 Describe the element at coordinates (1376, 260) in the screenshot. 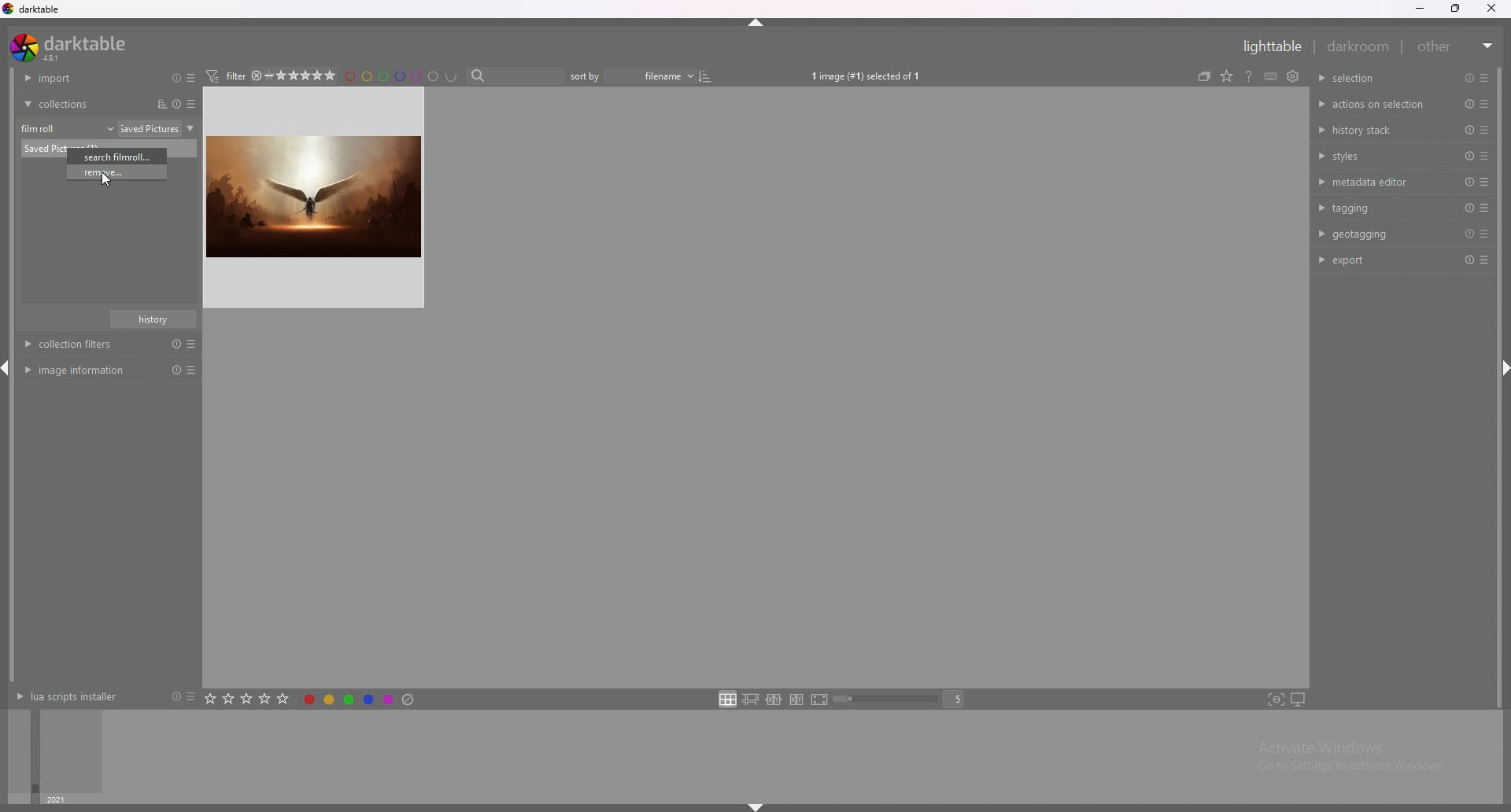

I see `export` at that location.